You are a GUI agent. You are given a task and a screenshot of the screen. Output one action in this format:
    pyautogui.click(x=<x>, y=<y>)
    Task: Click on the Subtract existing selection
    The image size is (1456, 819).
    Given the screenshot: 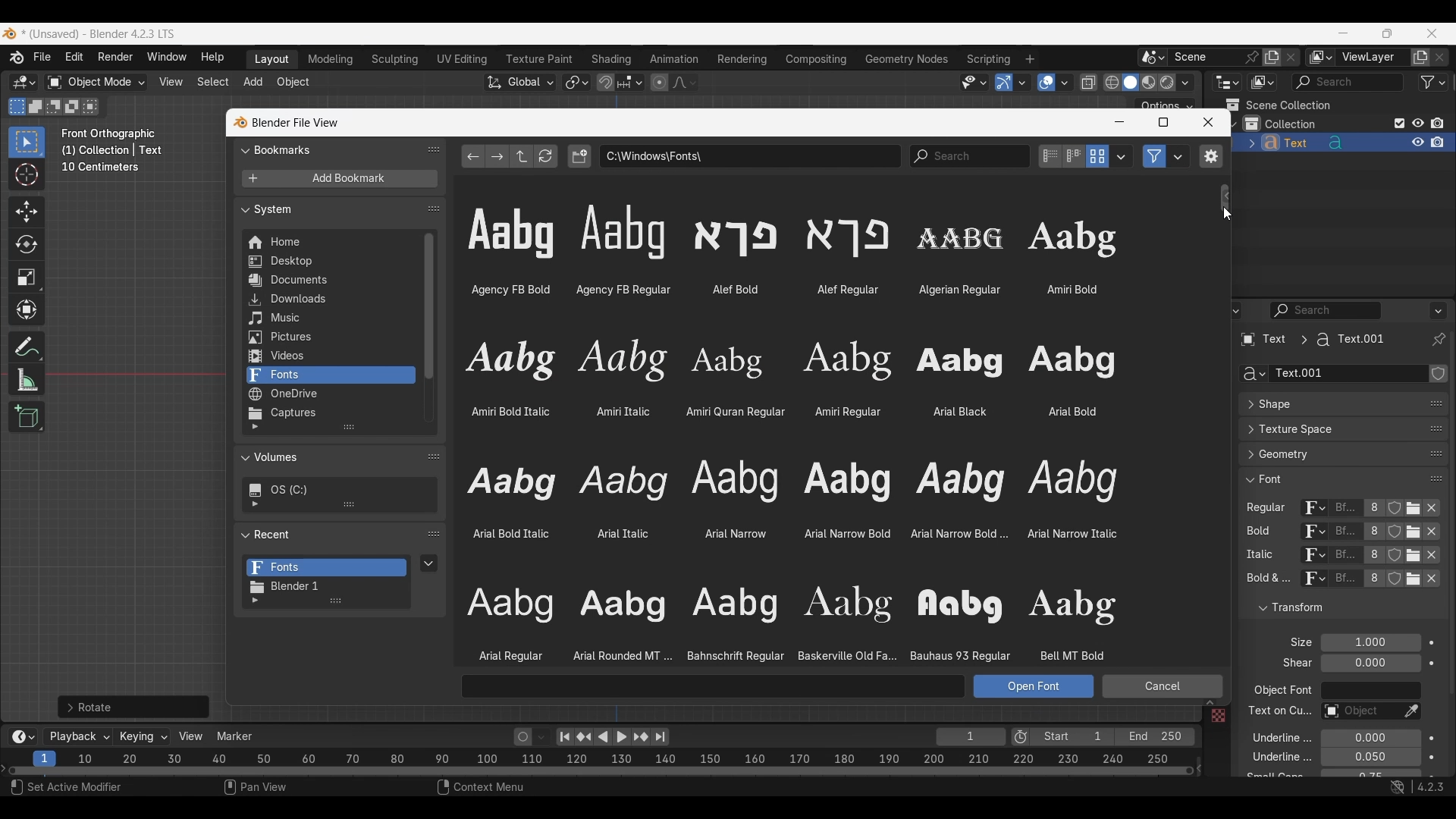 What is the action you would take?
    pyautogui.click(x=54, y=107)
    